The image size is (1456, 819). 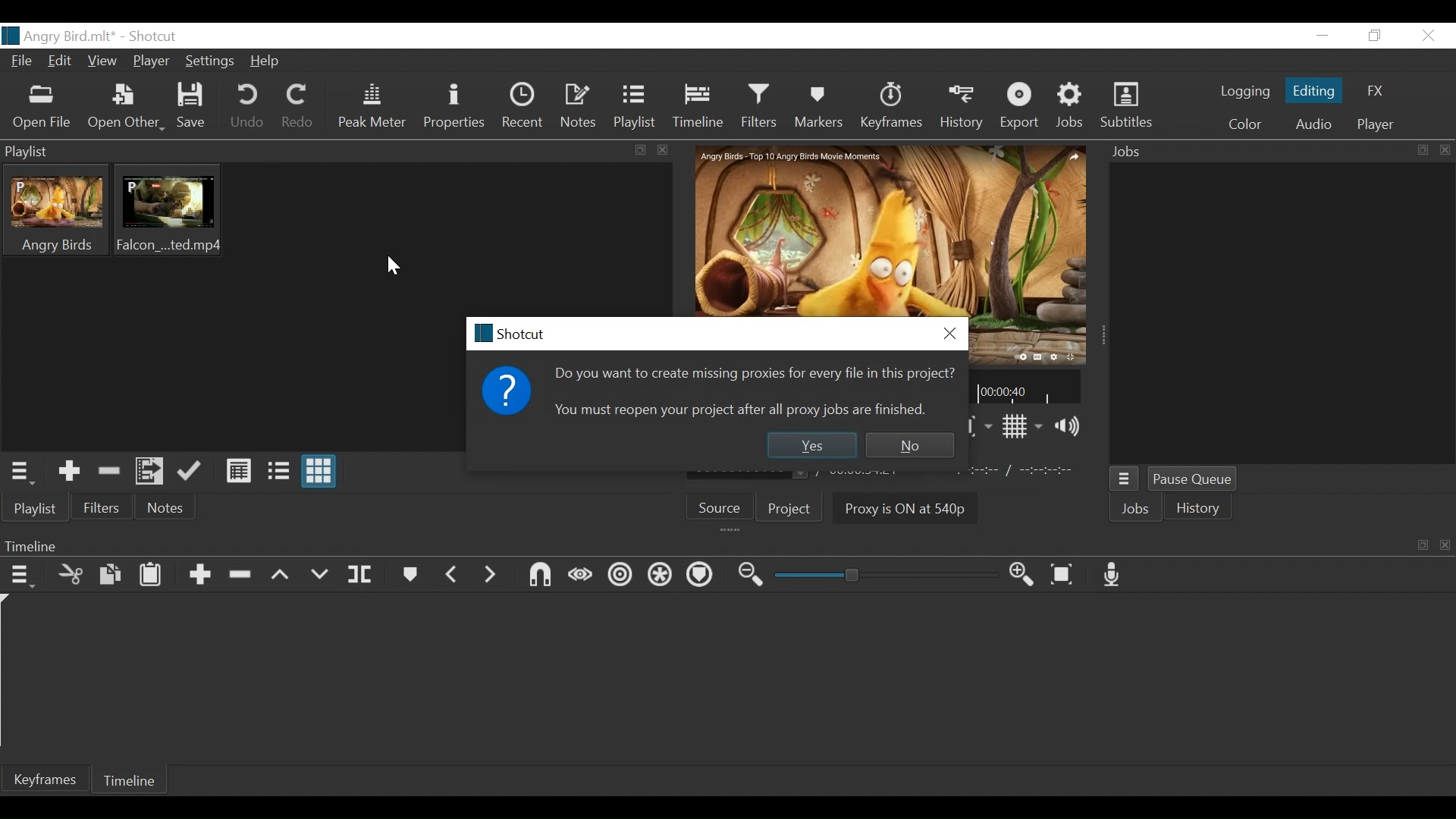 I want to click on Notes, so click(x=167, y=507).